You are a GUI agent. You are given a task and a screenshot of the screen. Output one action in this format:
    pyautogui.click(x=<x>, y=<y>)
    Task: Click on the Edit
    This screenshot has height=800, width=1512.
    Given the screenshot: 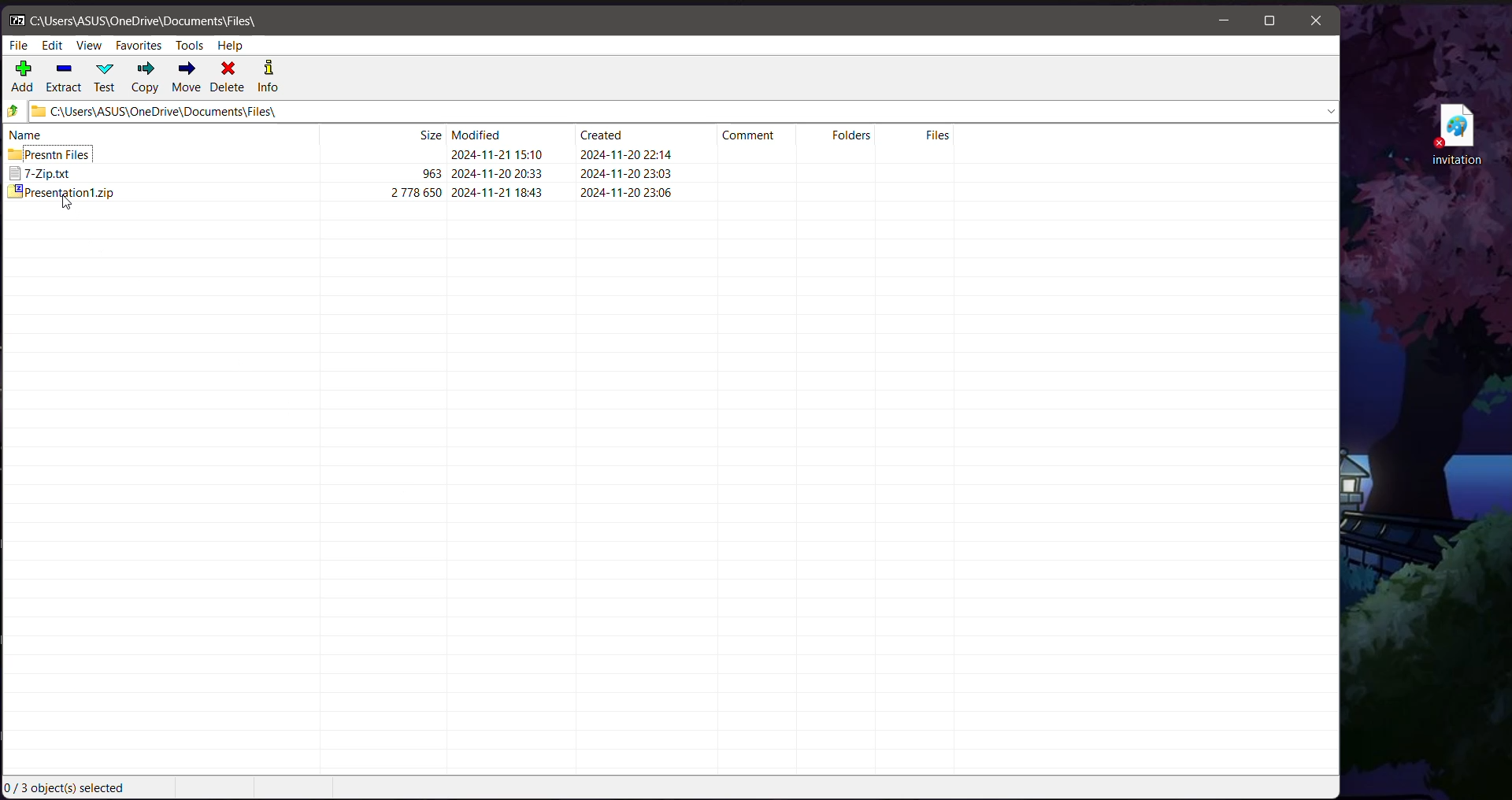 What is the action you would take?
    pyautogui.click(x=54, y=45)
    